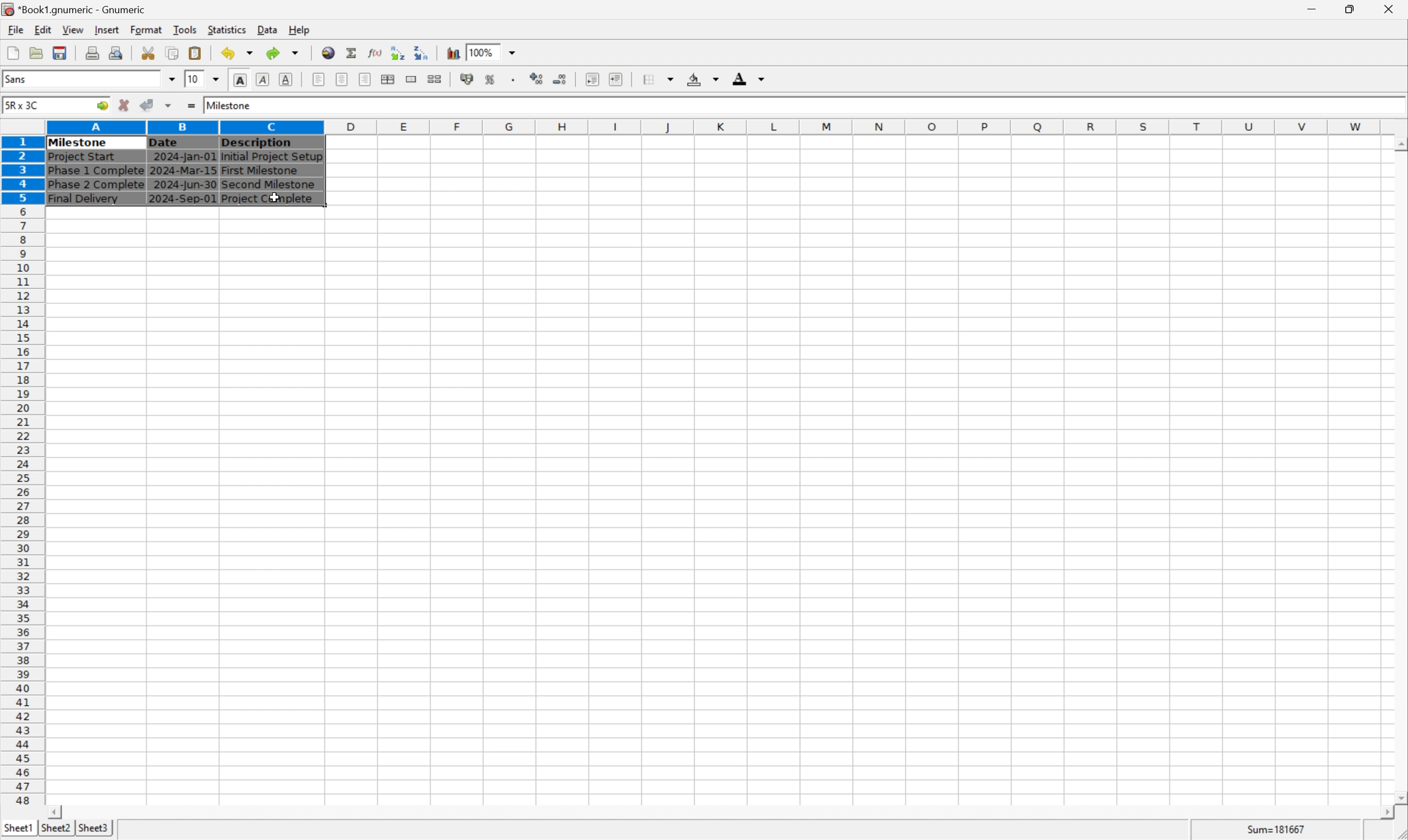  What do you see at coordinates (174, 53) in the screenshot?
I see `copy from selection` at bounding box center [174, 53].